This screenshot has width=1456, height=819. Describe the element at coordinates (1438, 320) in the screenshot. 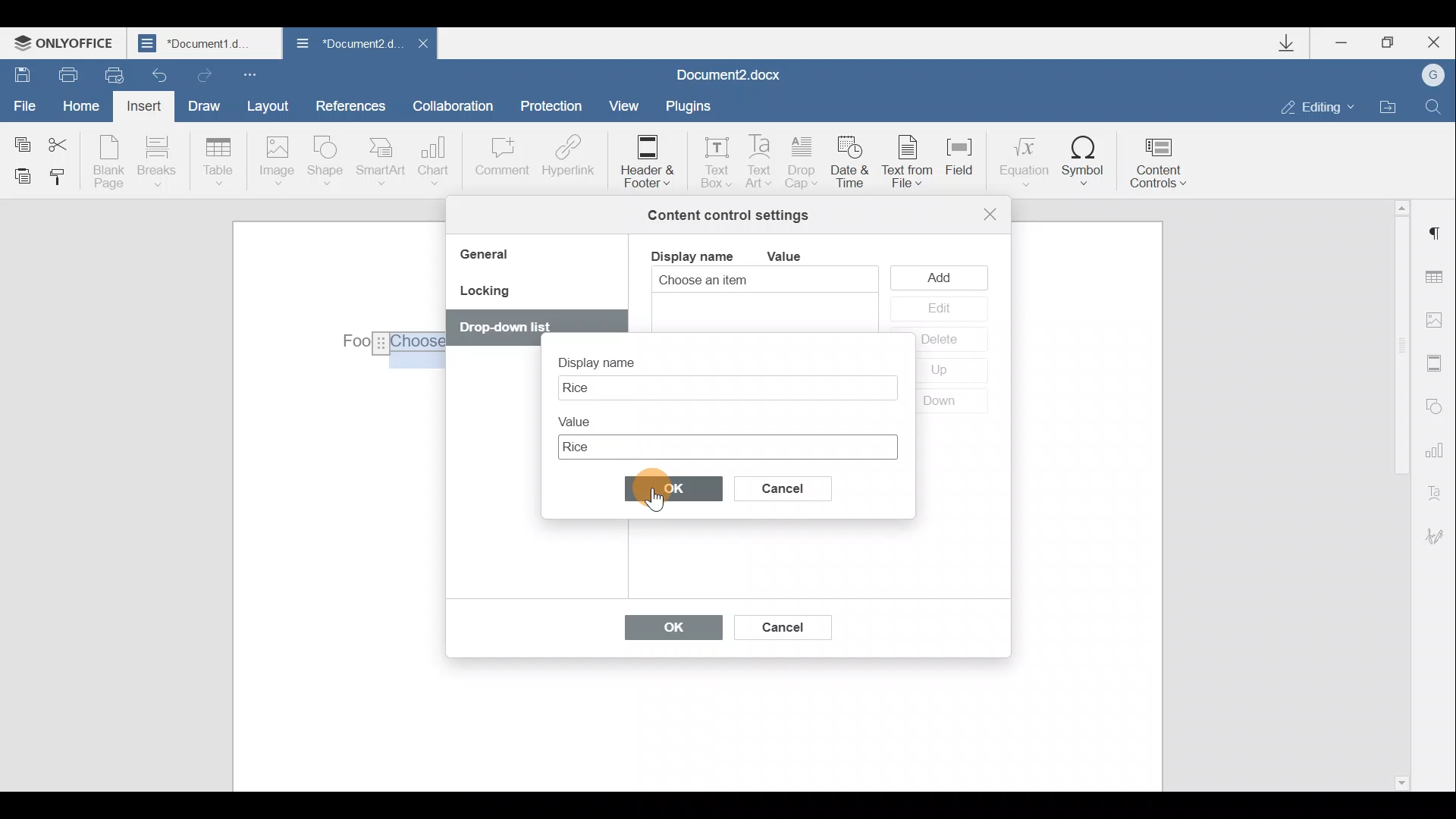

I see `Image settings` at that location.